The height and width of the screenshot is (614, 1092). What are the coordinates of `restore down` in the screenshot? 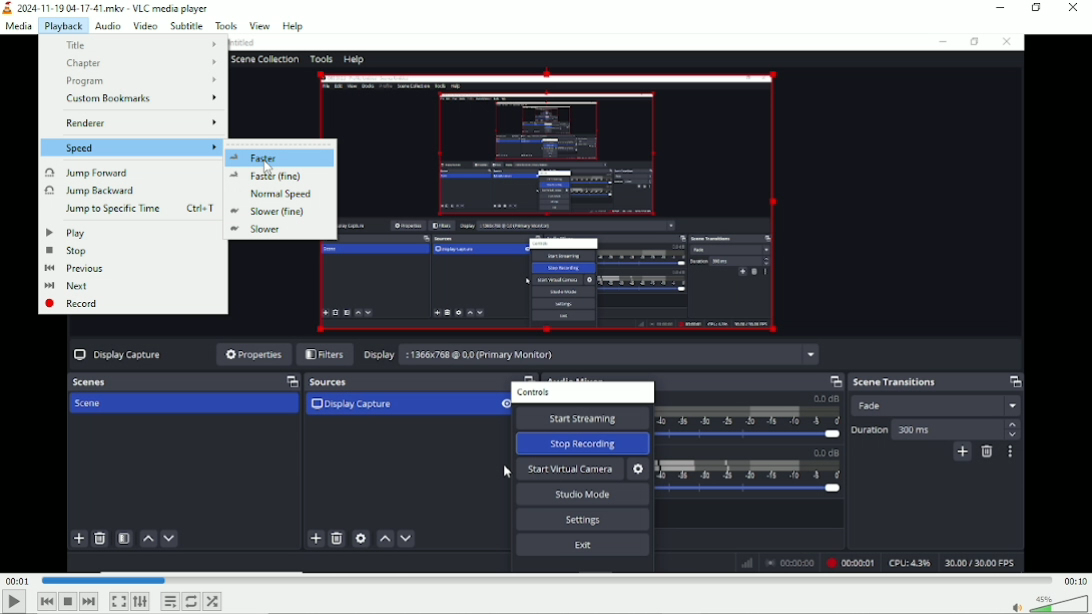 It's located at (1038, 9).